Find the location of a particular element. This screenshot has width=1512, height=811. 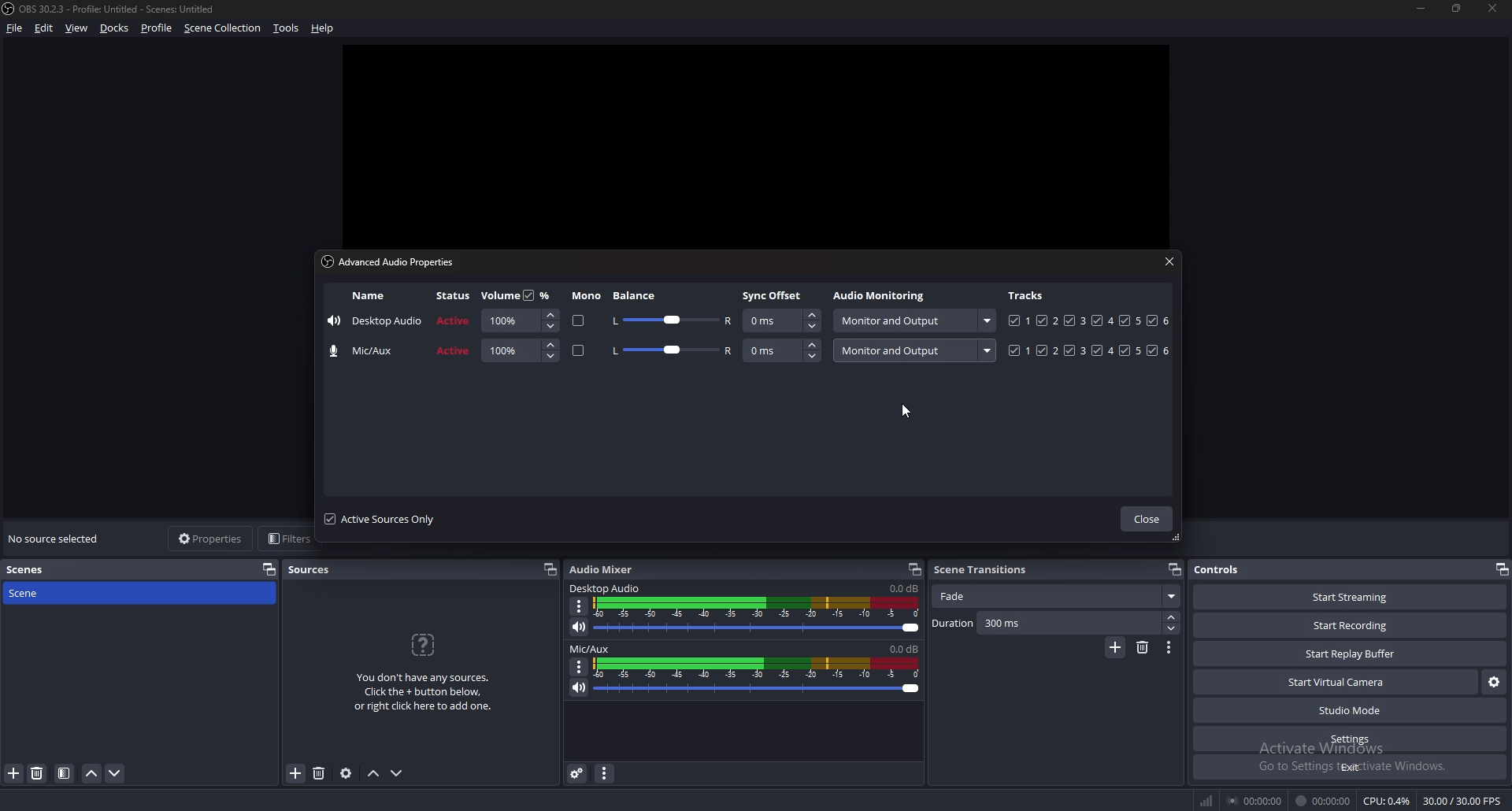

cursor is located at coordinates (904, 413).